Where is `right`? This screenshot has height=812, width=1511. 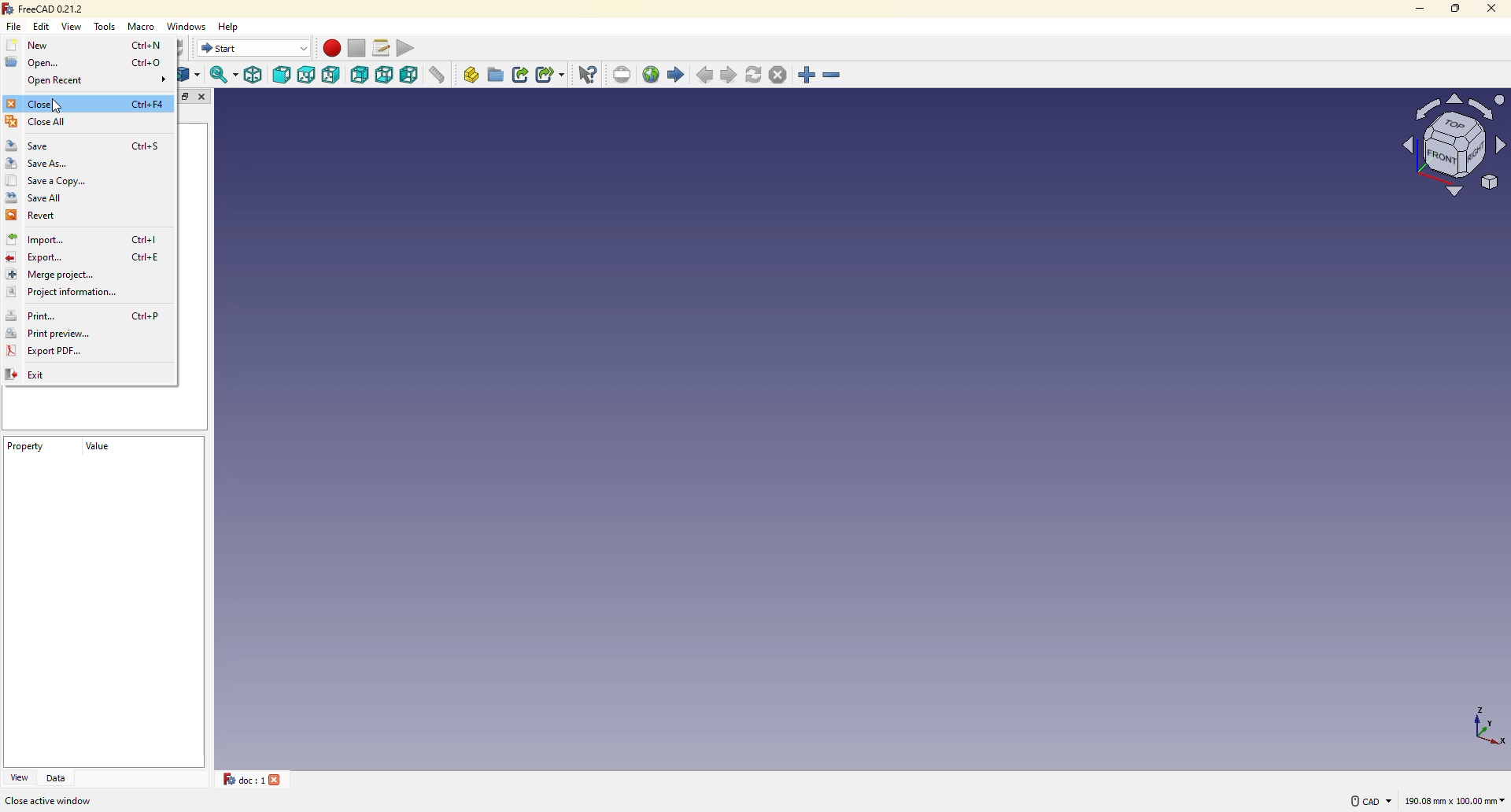 right is located at coordinates (333, 75).